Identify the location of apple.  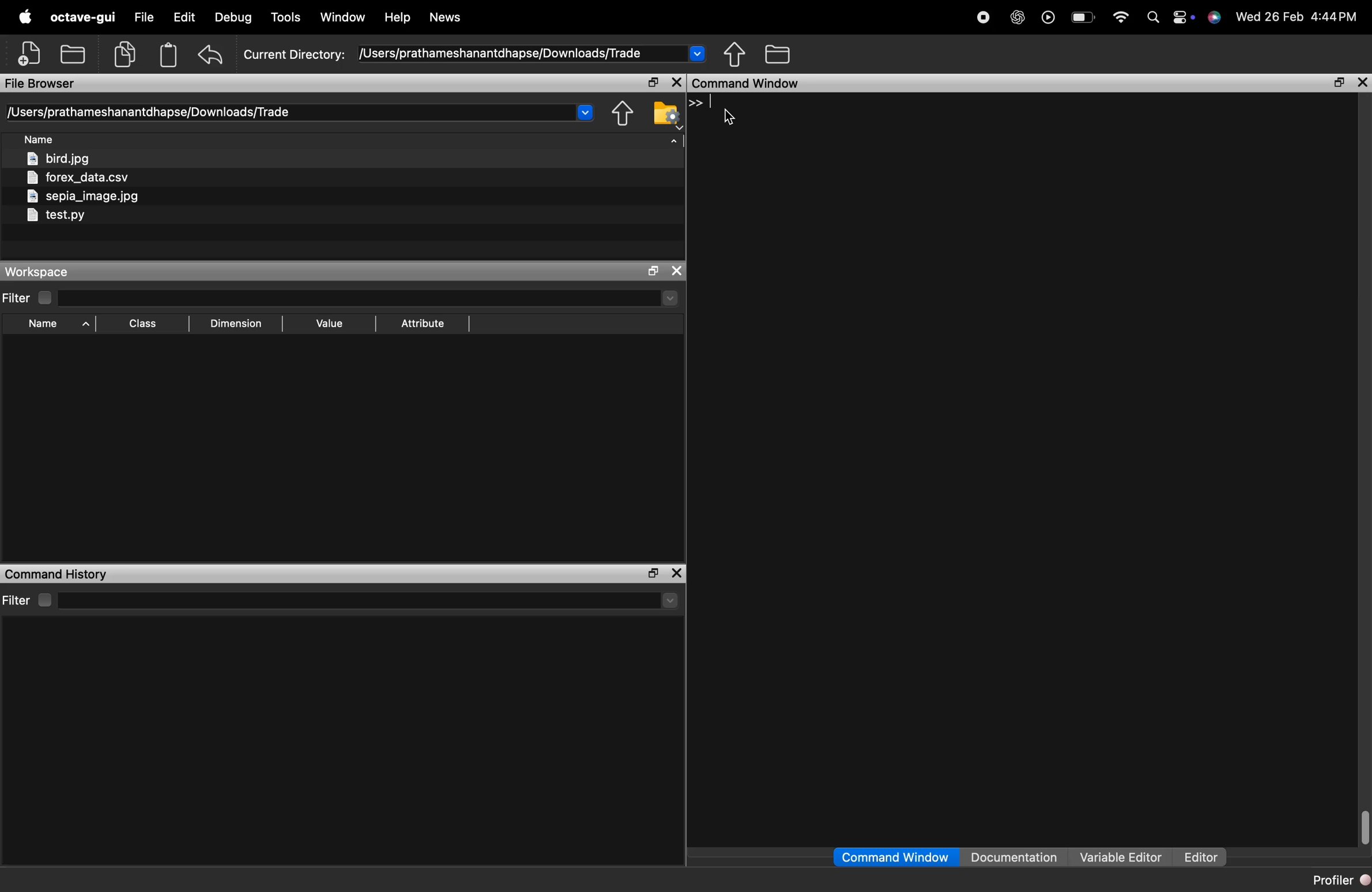
(26, 16).